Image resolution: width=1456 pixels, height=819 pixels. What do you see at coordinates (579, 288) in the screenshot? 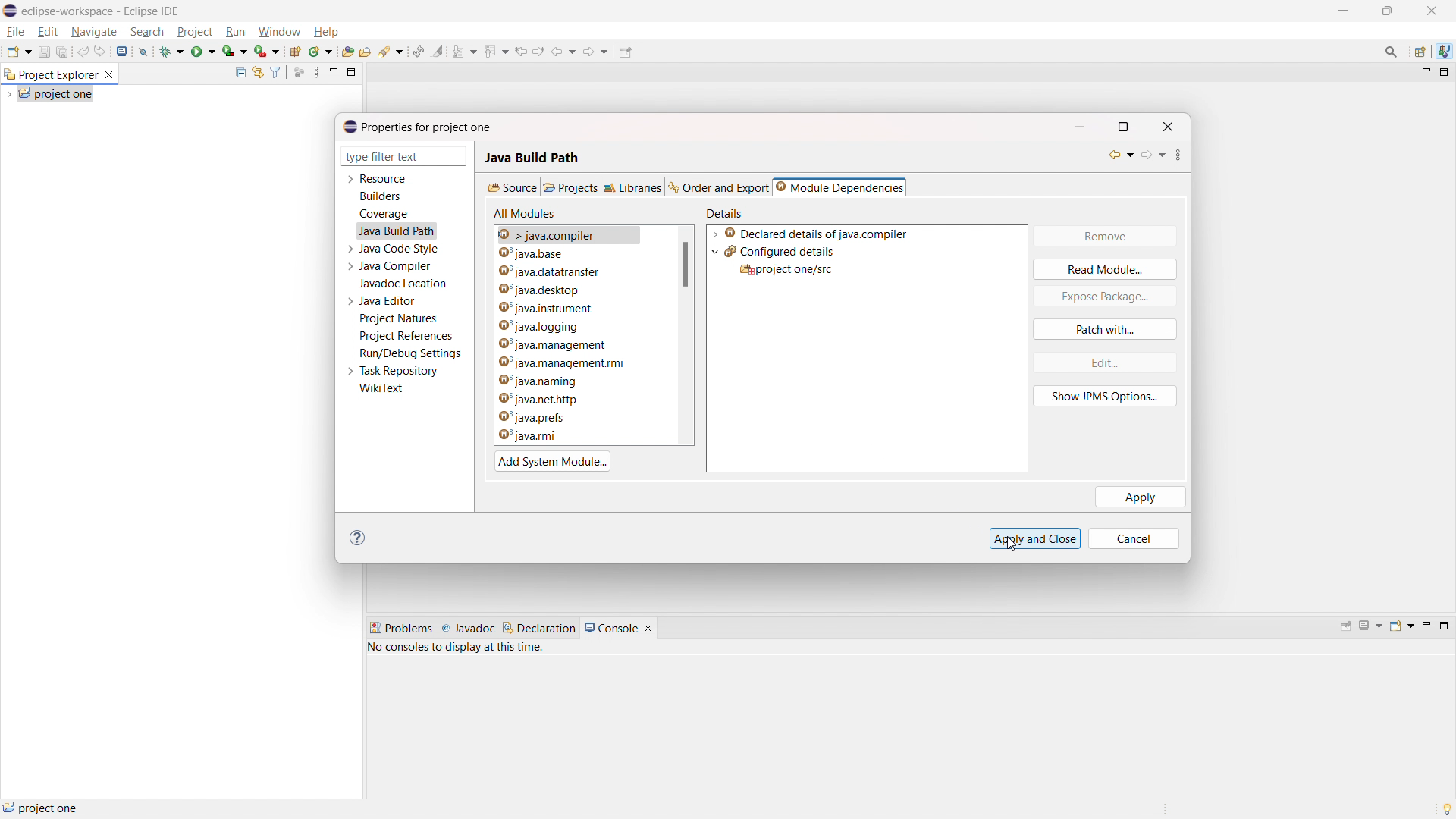
I see `java.desktop` at bounding box center [579, 288].